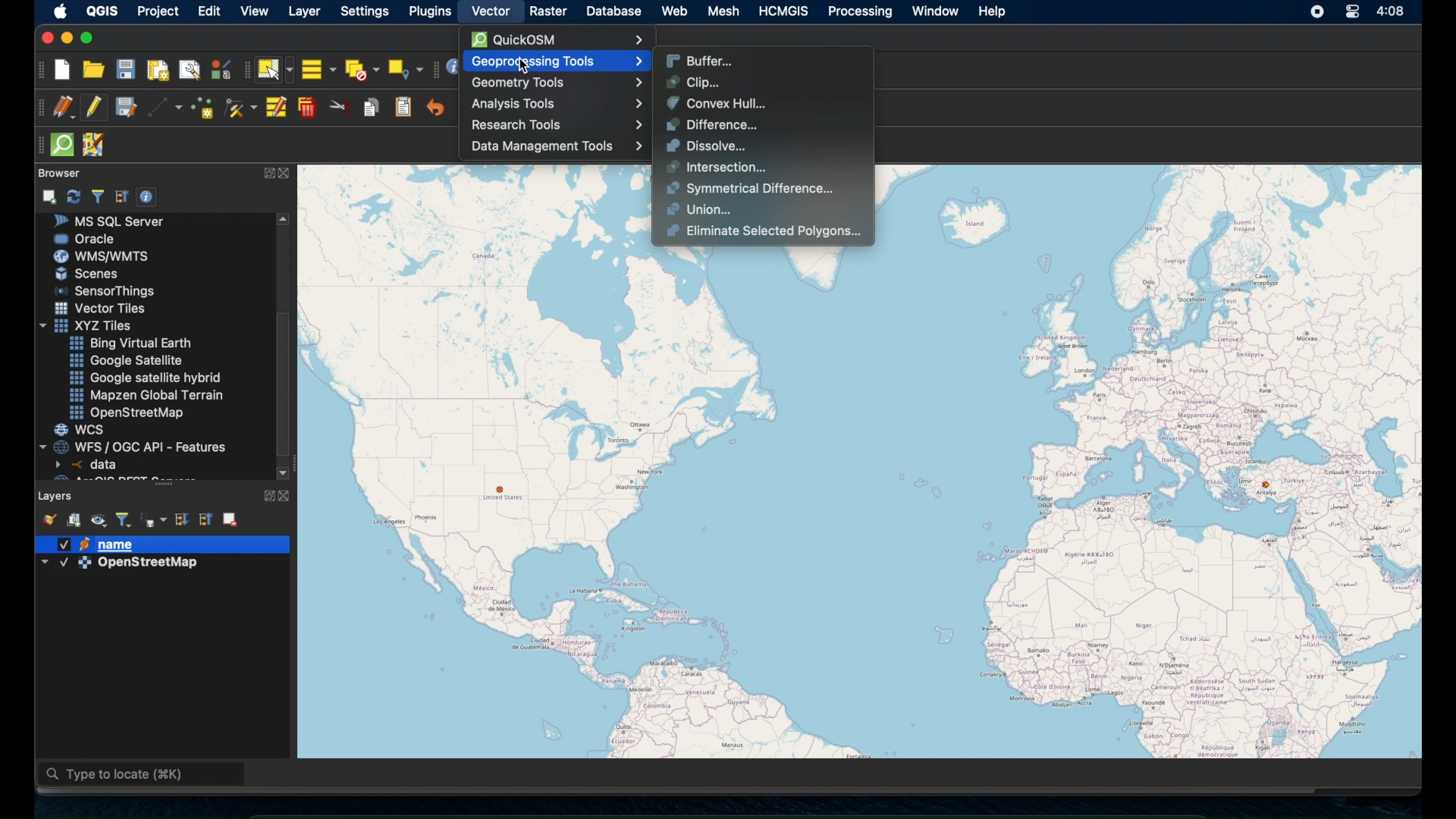 The image size is (1456, 819). Describe the element at coordinates (63, 70) in the screenshot. I see `new project` at that location.